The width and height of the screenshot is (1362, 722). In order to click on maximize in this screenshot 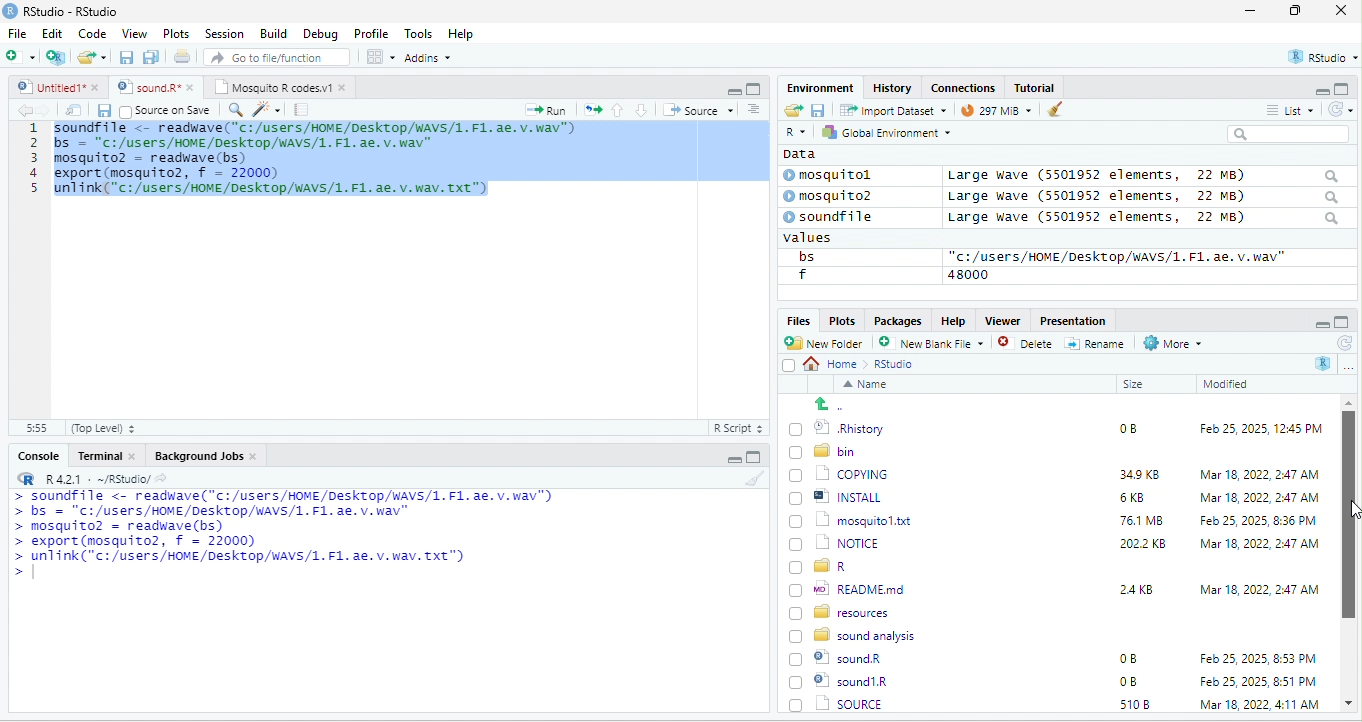, I will do `click(1299, 12)`.